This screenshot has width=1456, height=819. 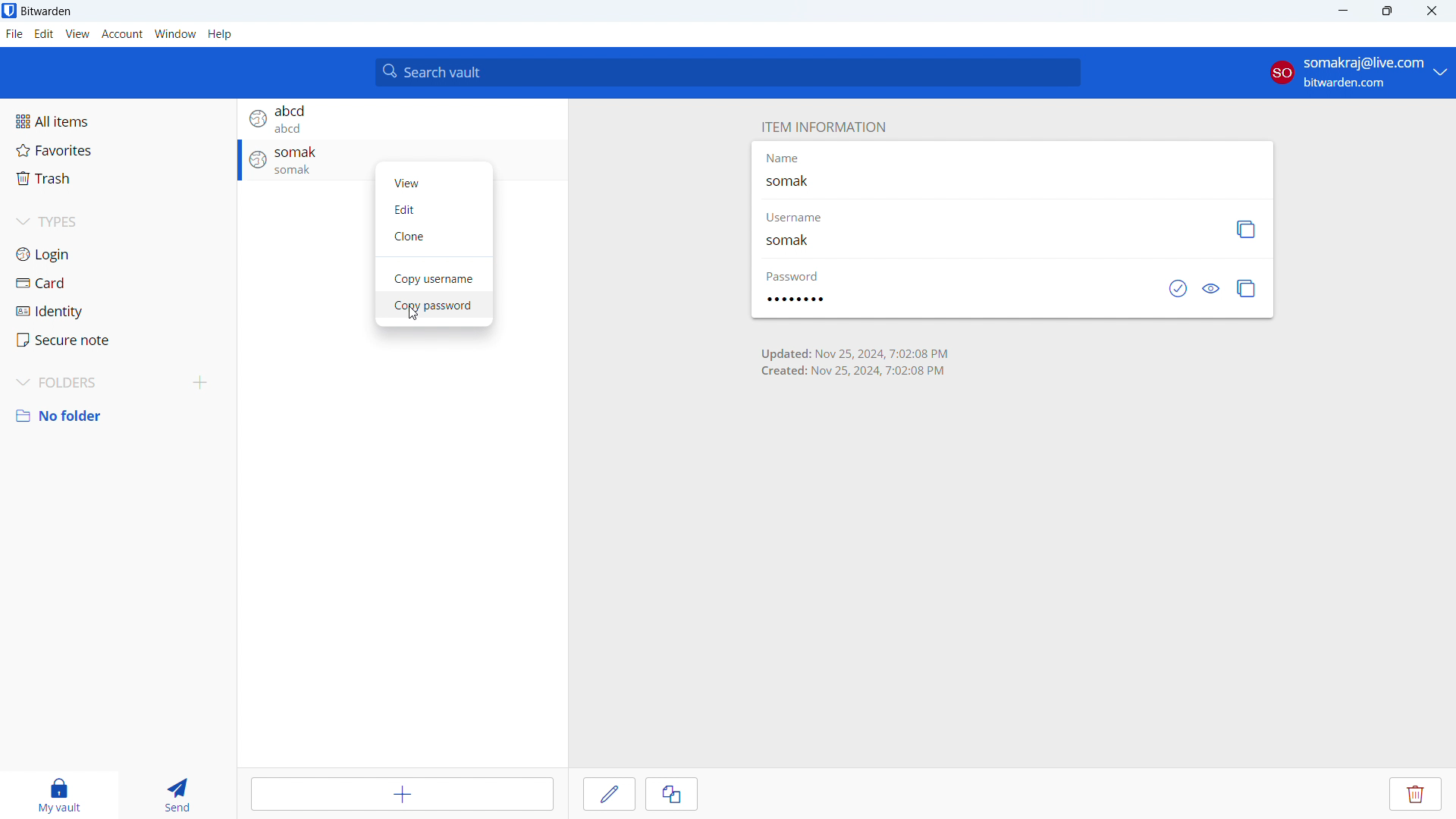 What do you see at coordinates (1359, 74) in the screenshot?
I see `account` at bounding box center [1359, 74].